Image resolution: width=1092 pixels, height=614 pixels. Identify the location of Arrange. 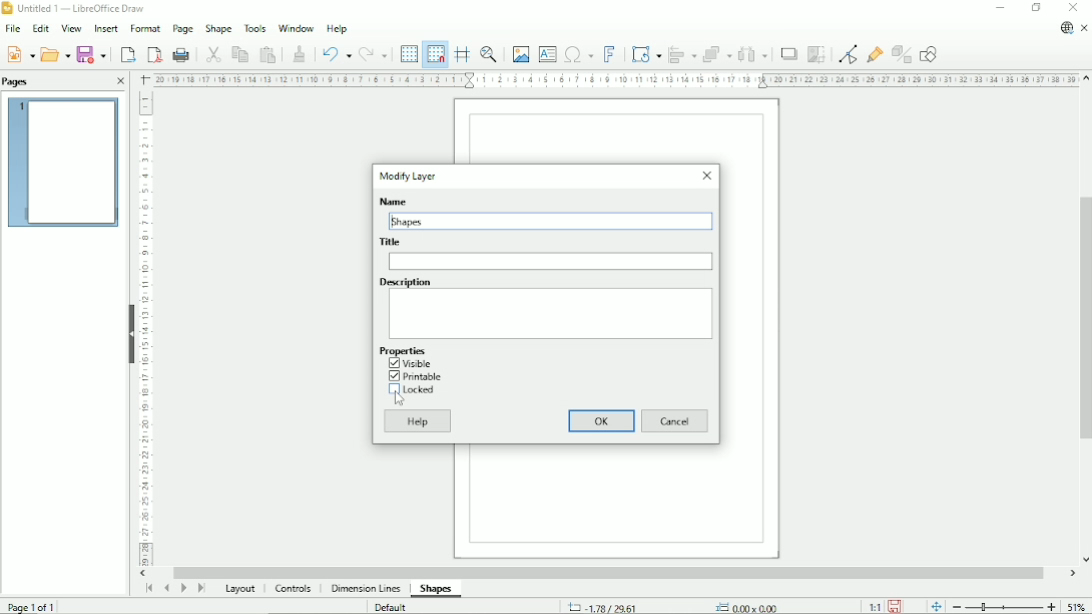
(718, 54).